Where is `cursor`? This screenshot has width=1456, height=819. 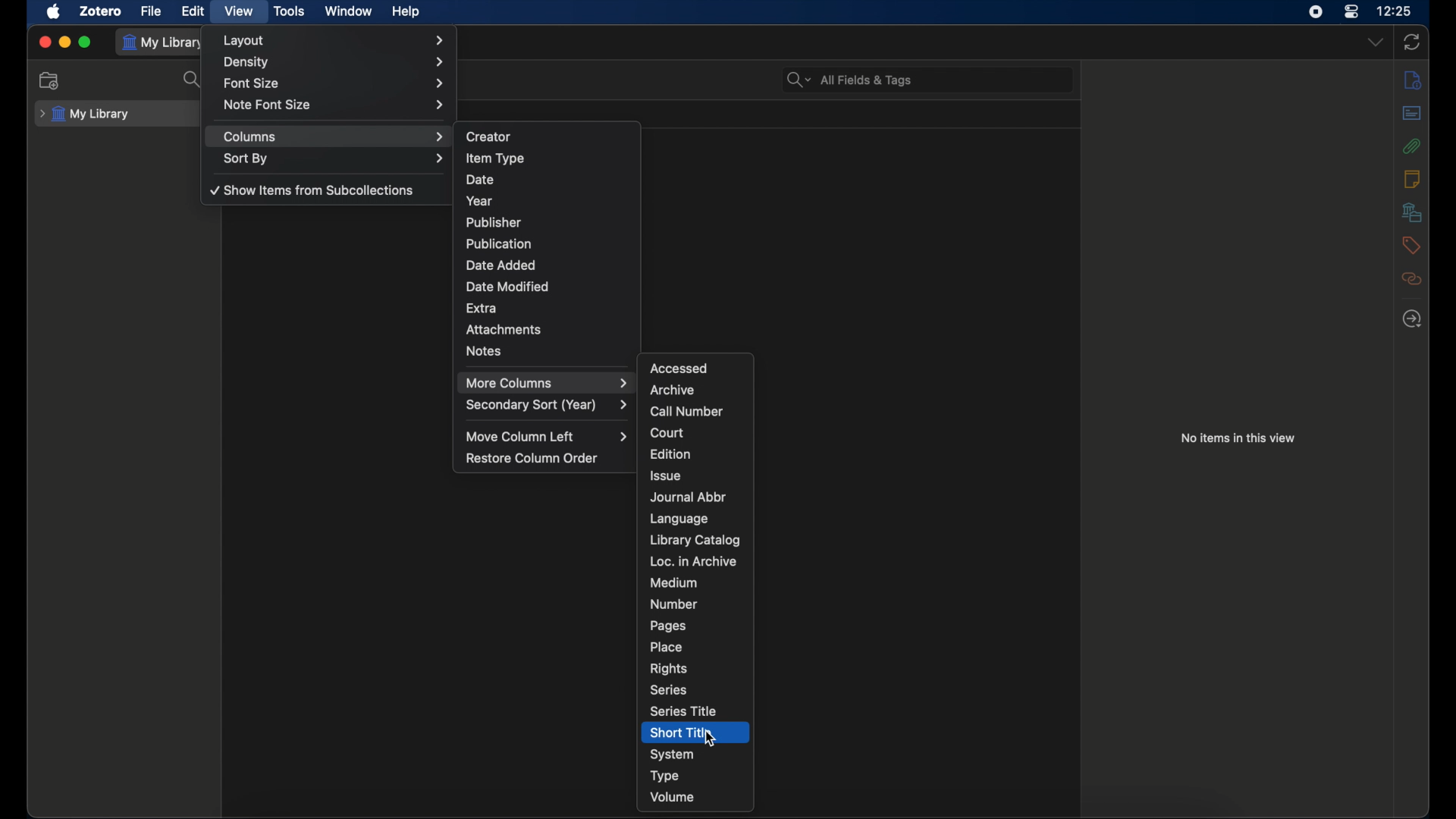
cursor is located at coordinates (711, 738).